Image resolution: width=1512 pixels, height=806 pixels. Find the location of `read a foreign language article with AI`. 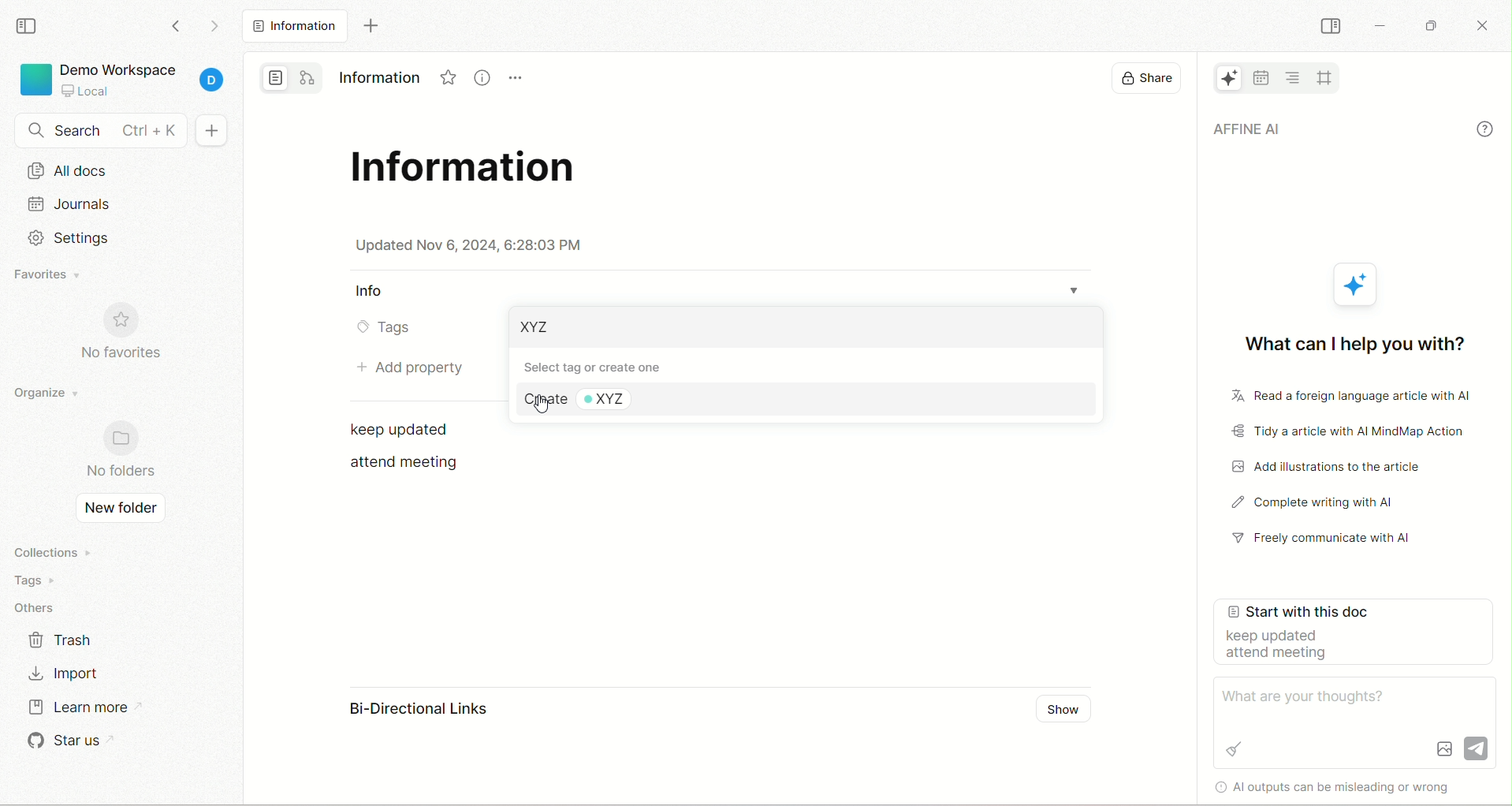

read a foreign language article with AI is located at coordinates (1342, 397).